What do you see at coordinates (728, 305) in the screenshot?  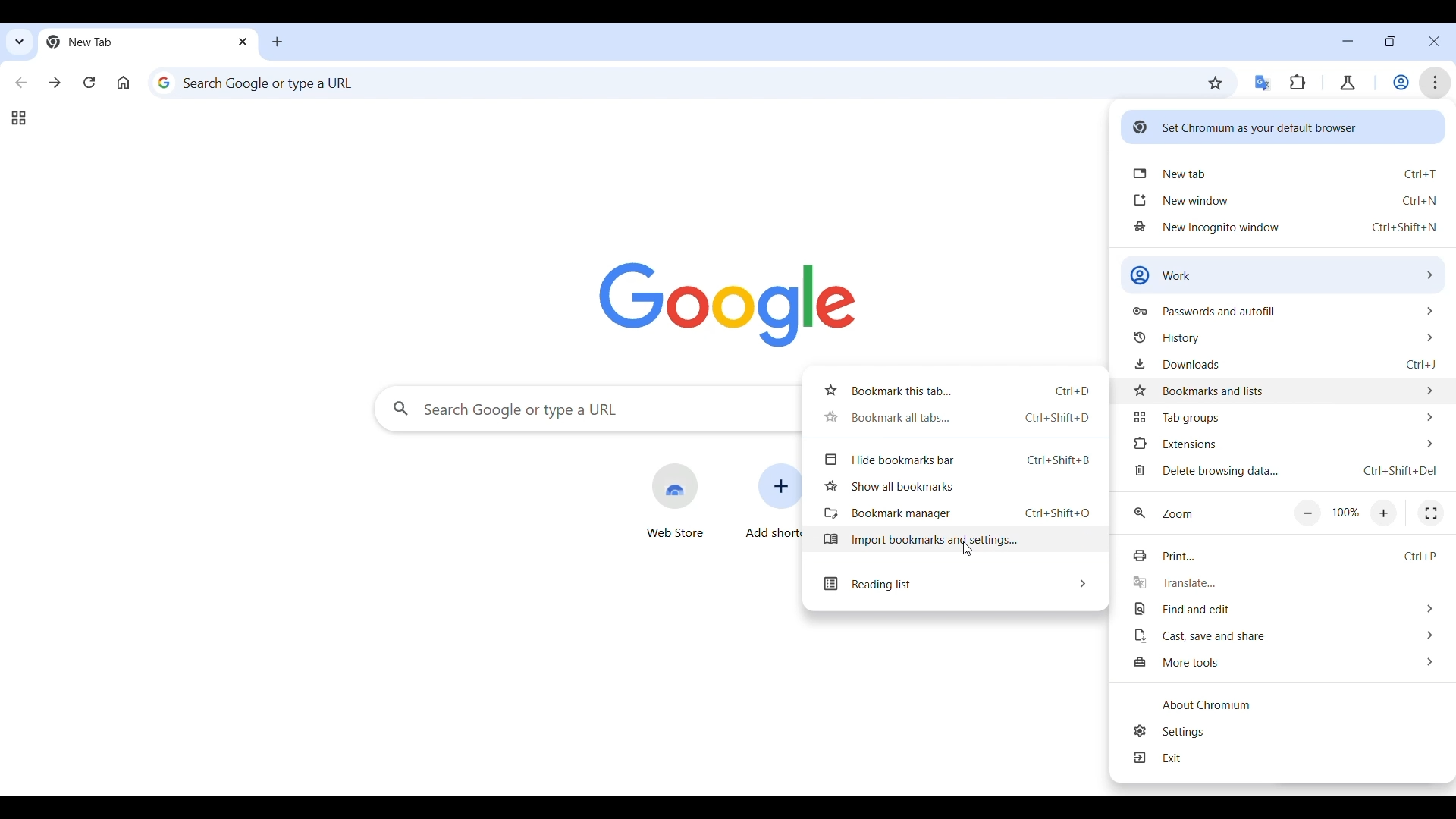 I see `google` at bounding box center [728, 305].